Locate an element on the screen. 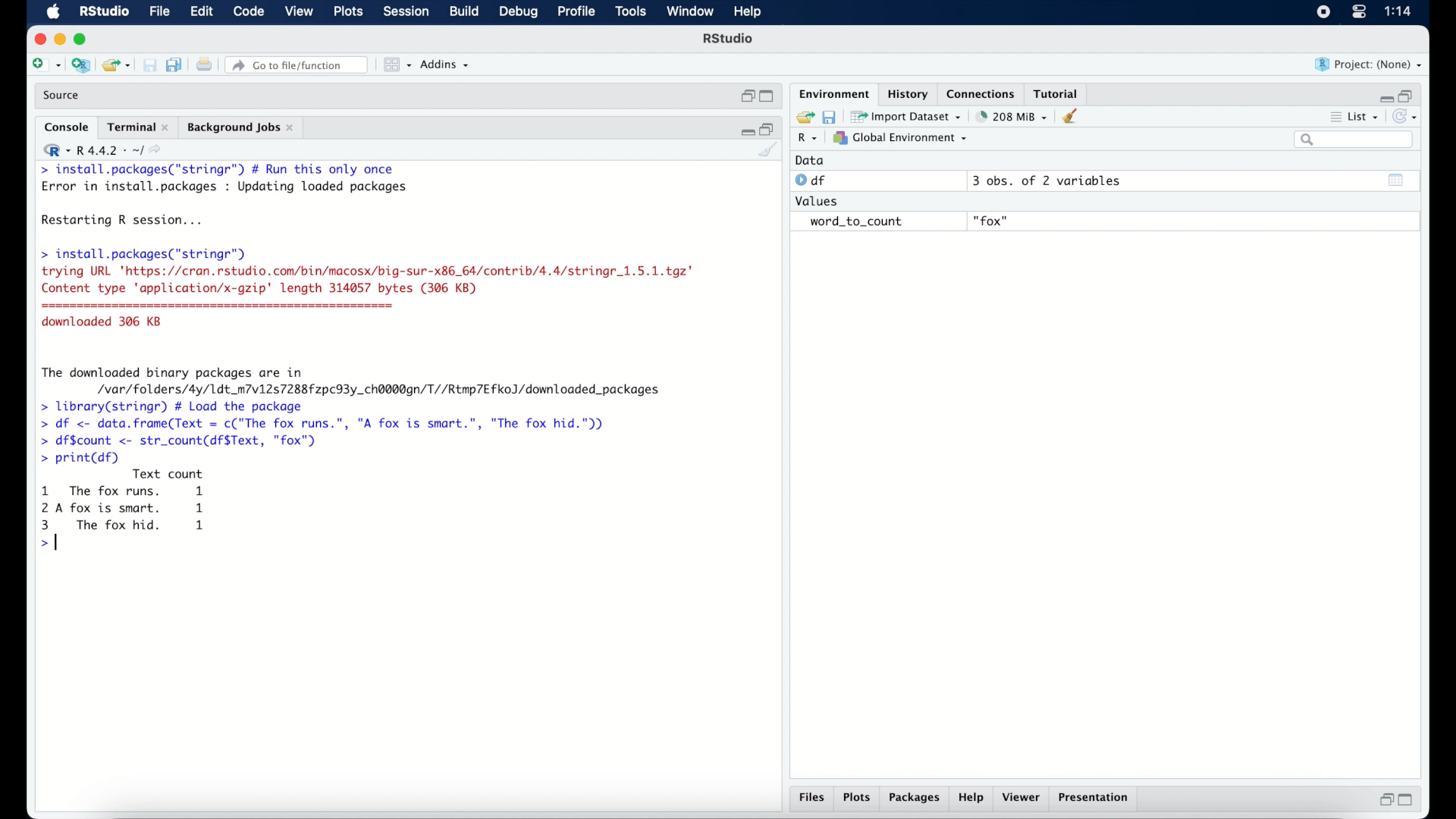  minimize is located at coordinates (745, 130).